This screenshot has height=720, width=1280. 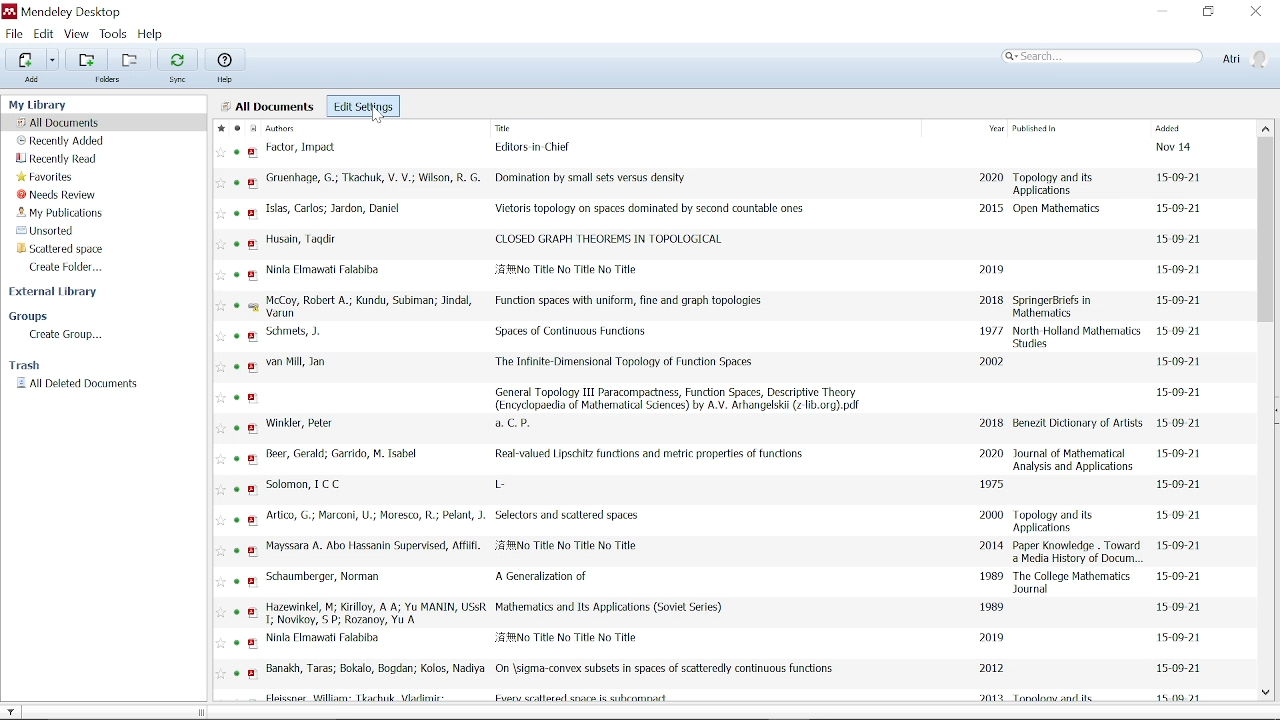 What do you see at coordinates (56, 295) in the screenshot?
I see `External library` at bounding box center [56, 295].